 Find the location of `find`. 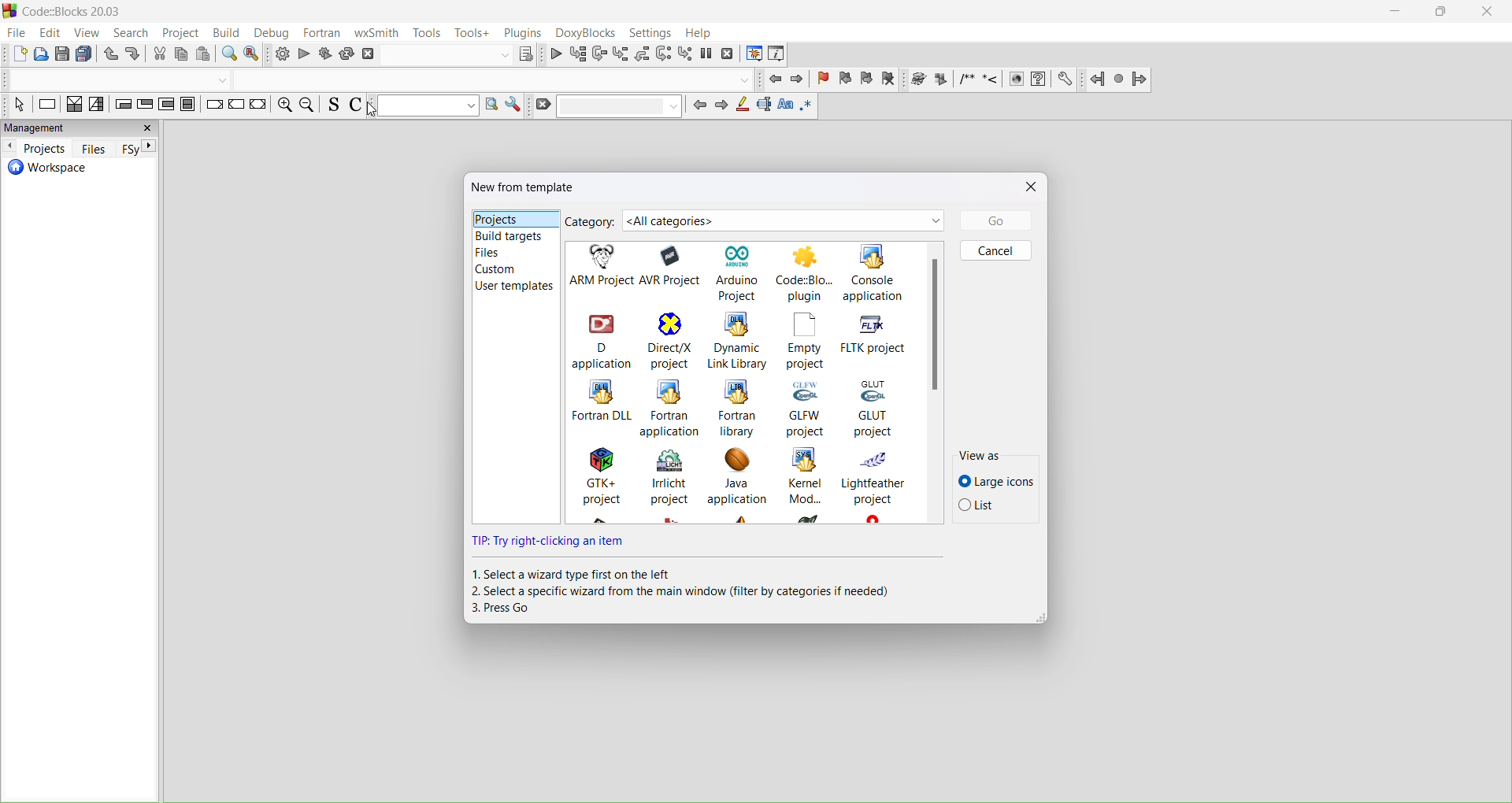

find is located at coordinates (230, 55).